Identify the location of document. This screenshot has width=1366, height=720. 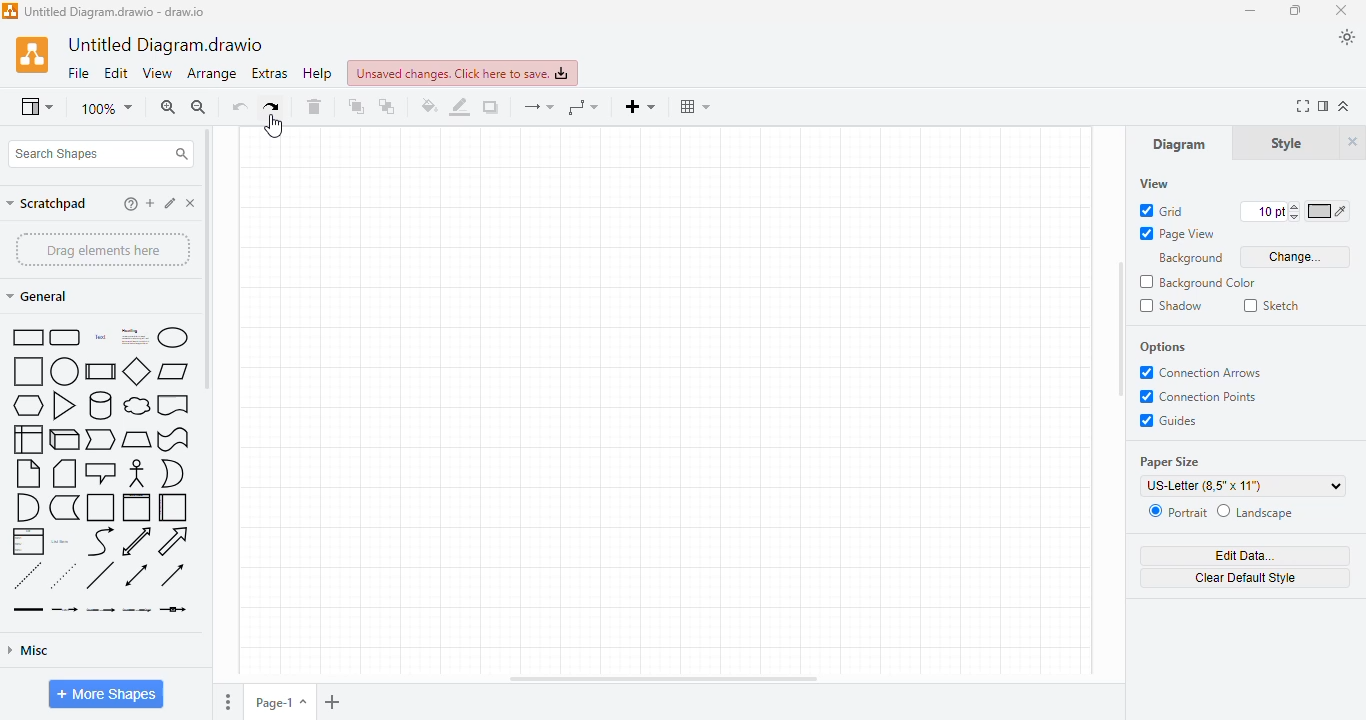
(173, 405).